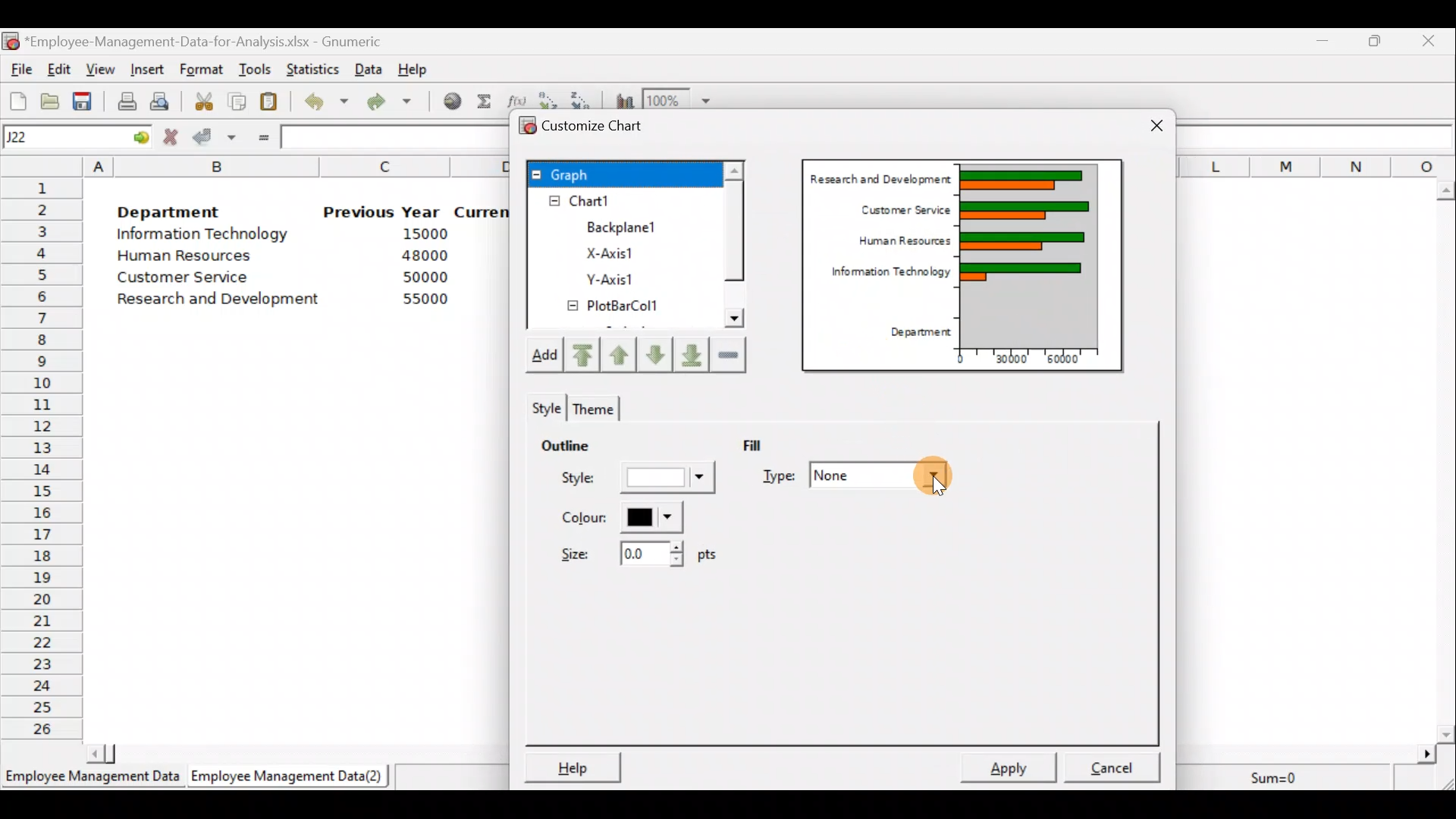  What do you see at coordinates (1028, 254) in the screenshot?
I see `Chart preview` at bounding box center [1028, 254].